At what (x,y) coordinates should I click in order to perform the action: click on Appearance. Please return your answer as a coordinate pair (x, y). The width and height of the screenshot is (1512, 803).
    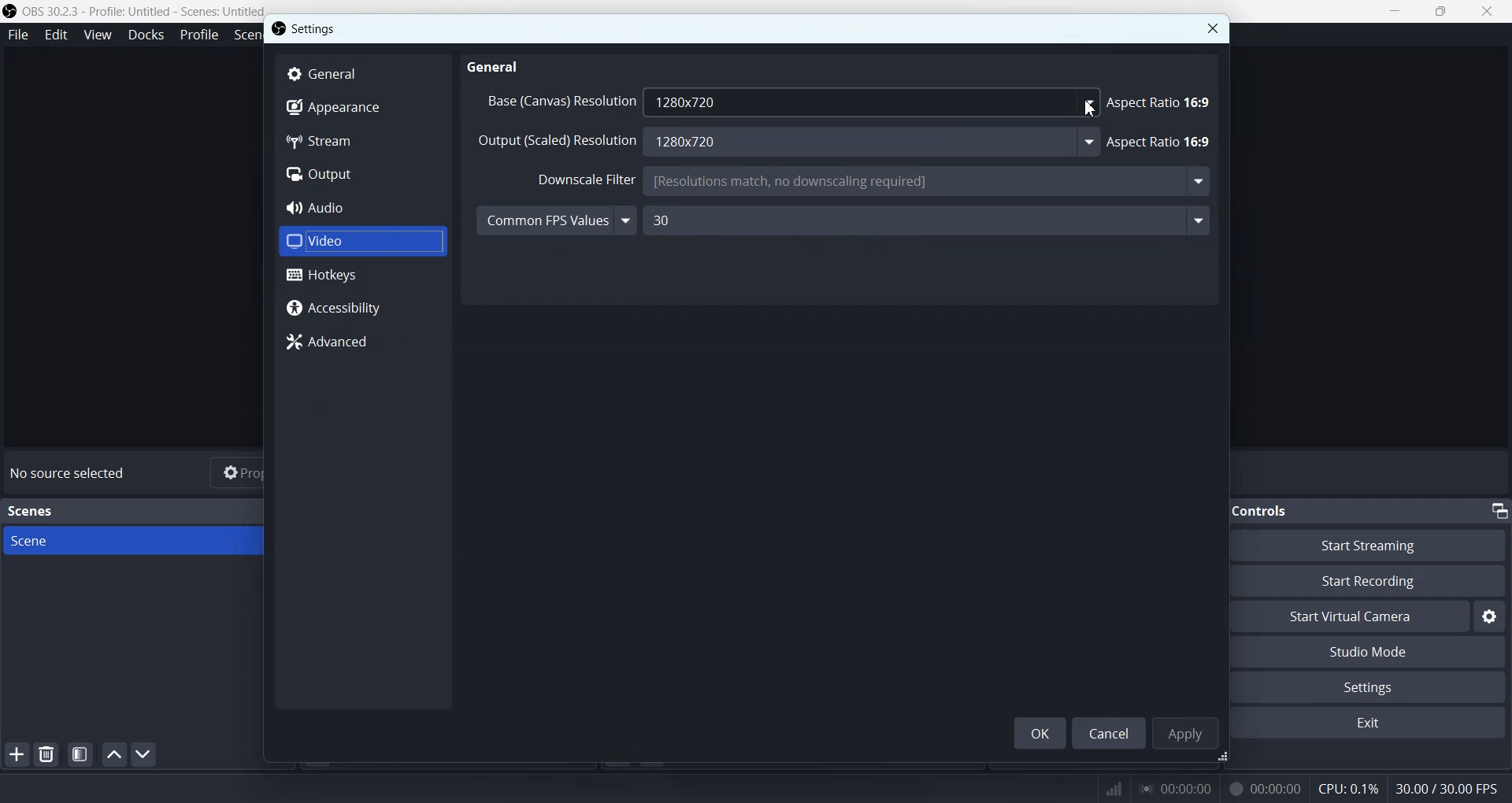
    Looking at the image, I should click on (362, 109).